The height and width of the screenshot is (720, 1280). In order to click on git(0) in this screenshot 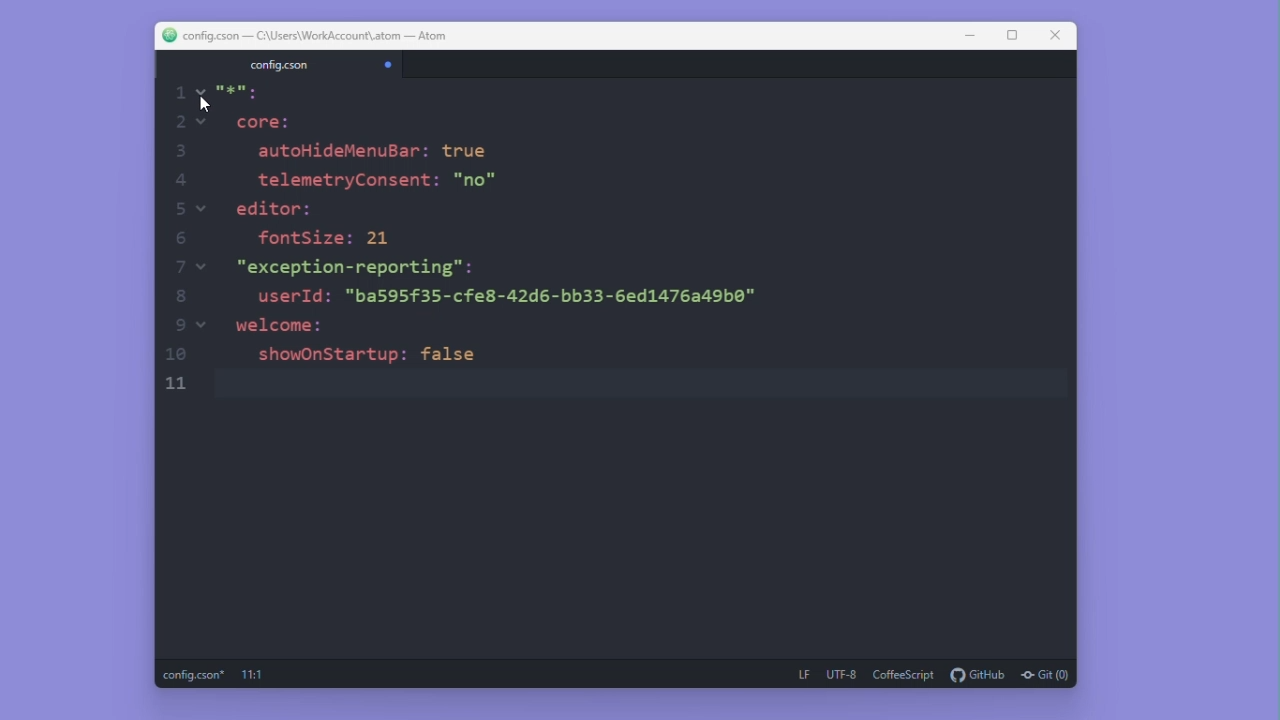, I will do `click(1050, 675)`.